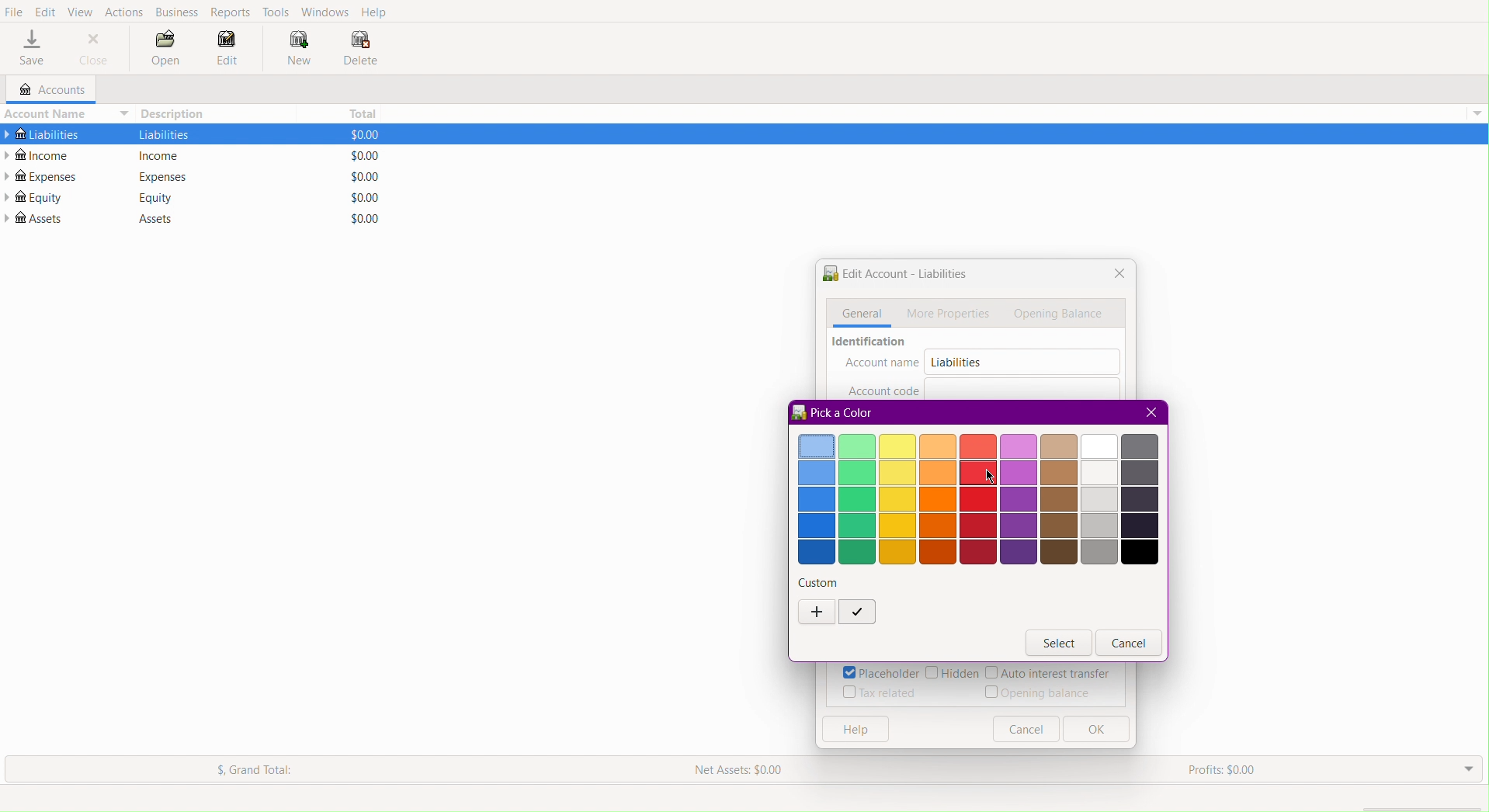 The height and width of the screenshot is (812, 1489). What do you see at coordinates (42, 132) in the screenshot?
I see `Liabilities` at bounding box center [42, 132].